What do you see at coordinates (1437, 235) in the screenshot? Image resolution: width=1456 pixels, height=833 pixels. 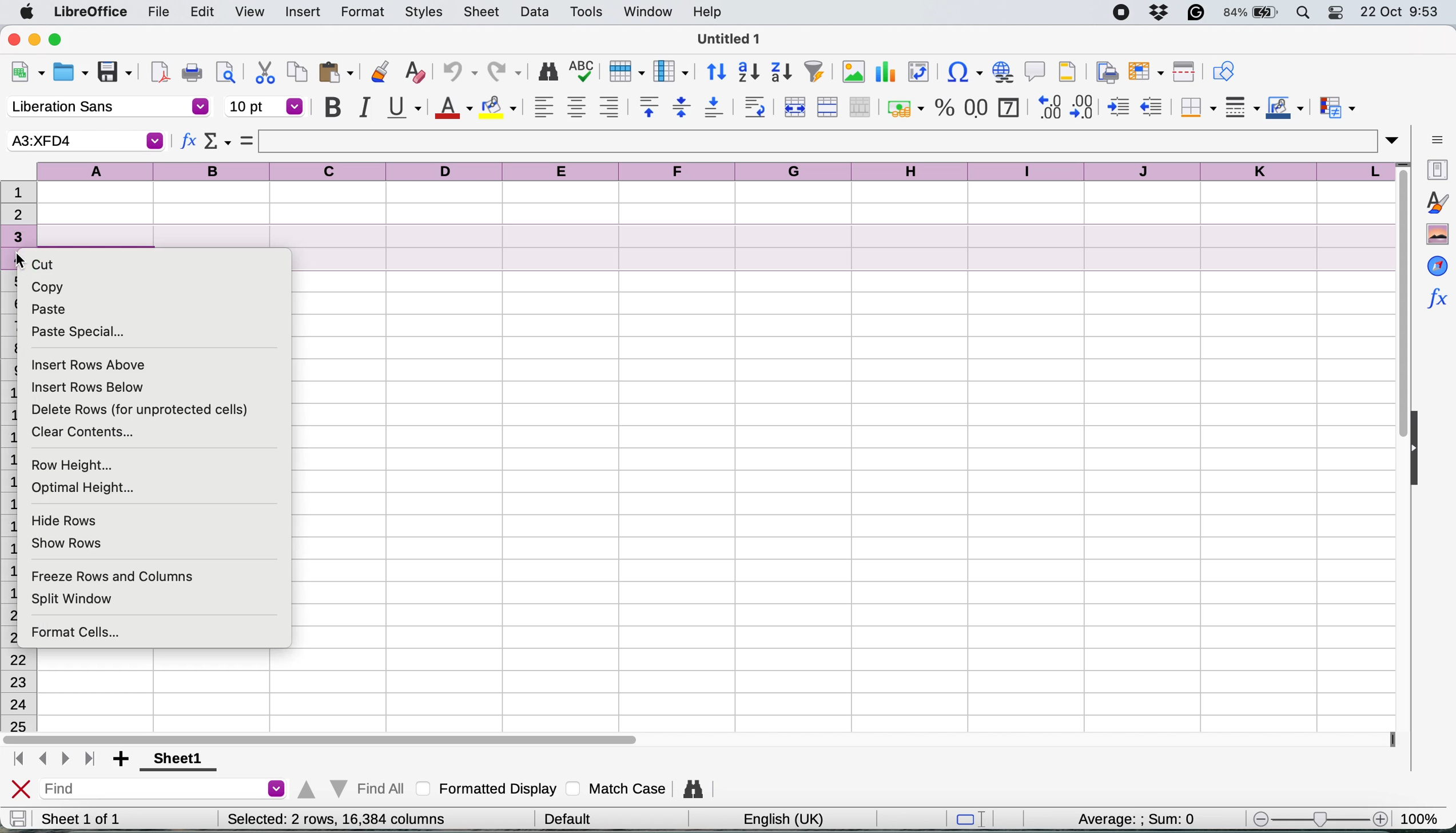 I see `gallery` at bounding box center [1437, 235].